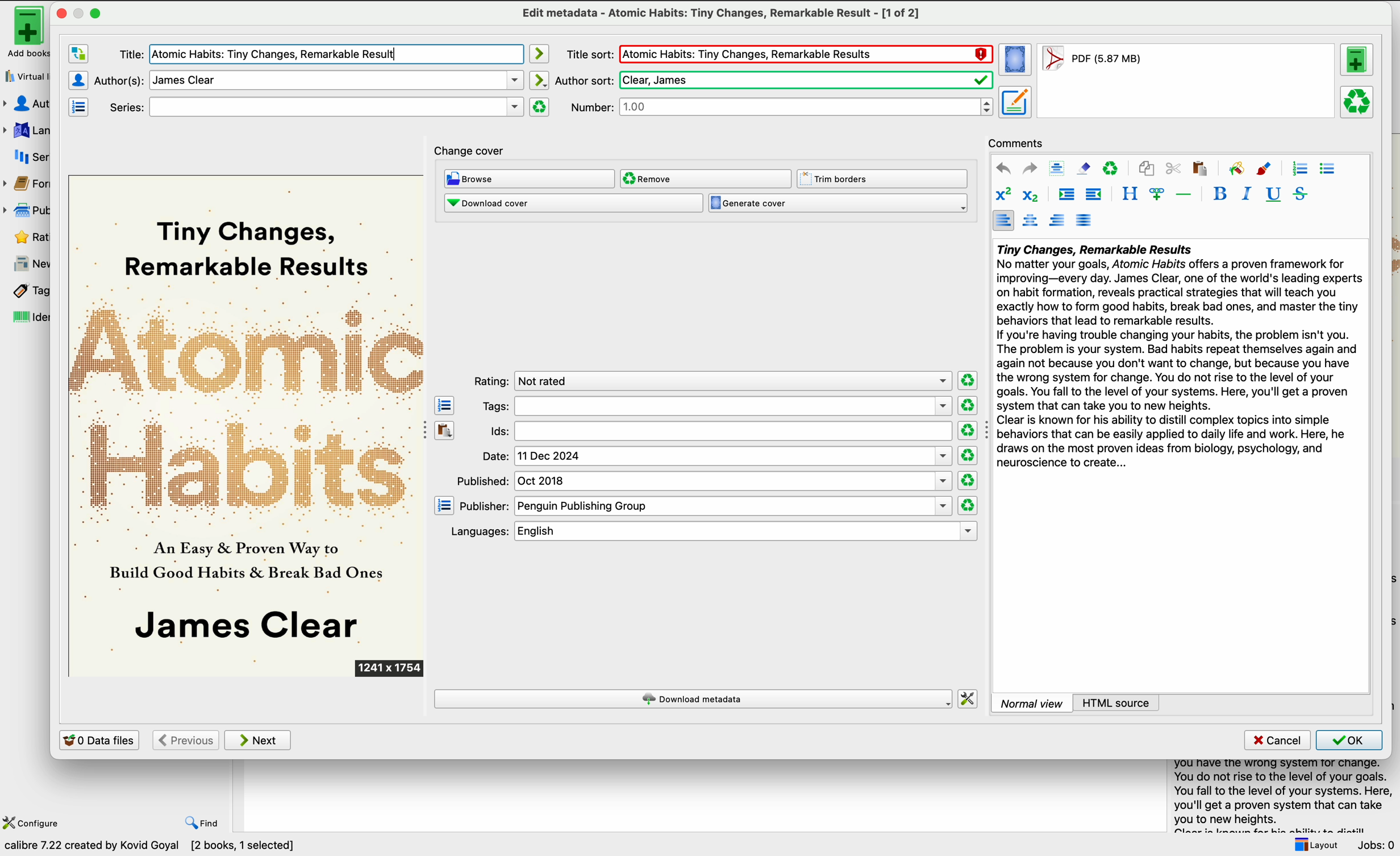  Describe the element at coordinates (1016, 142) in the screenshot. I see `comments` at that location.